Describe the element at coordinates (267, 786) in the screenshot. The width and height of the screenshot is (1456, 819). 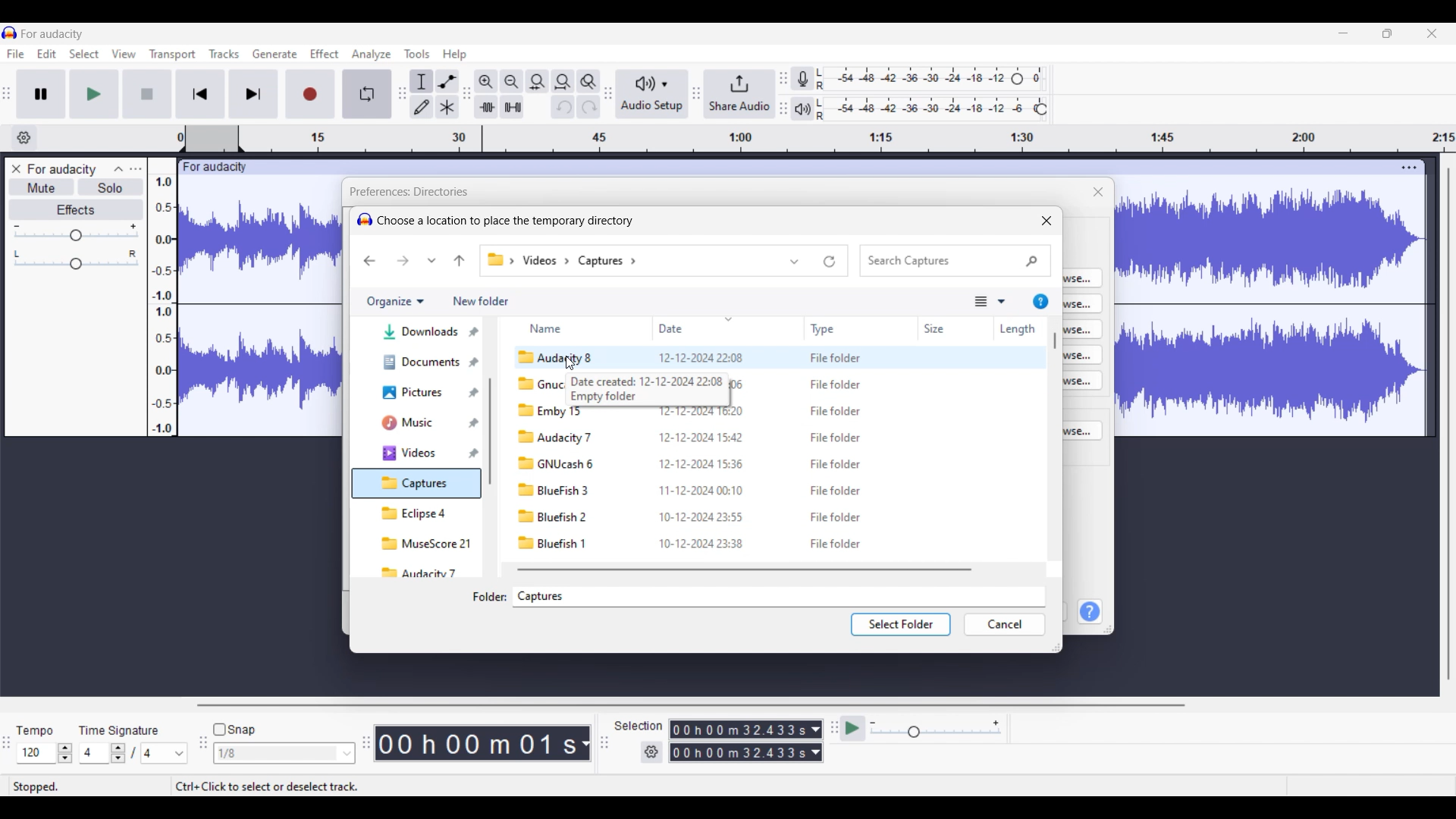
I see `Shortcut to select/deselect track` at that location.